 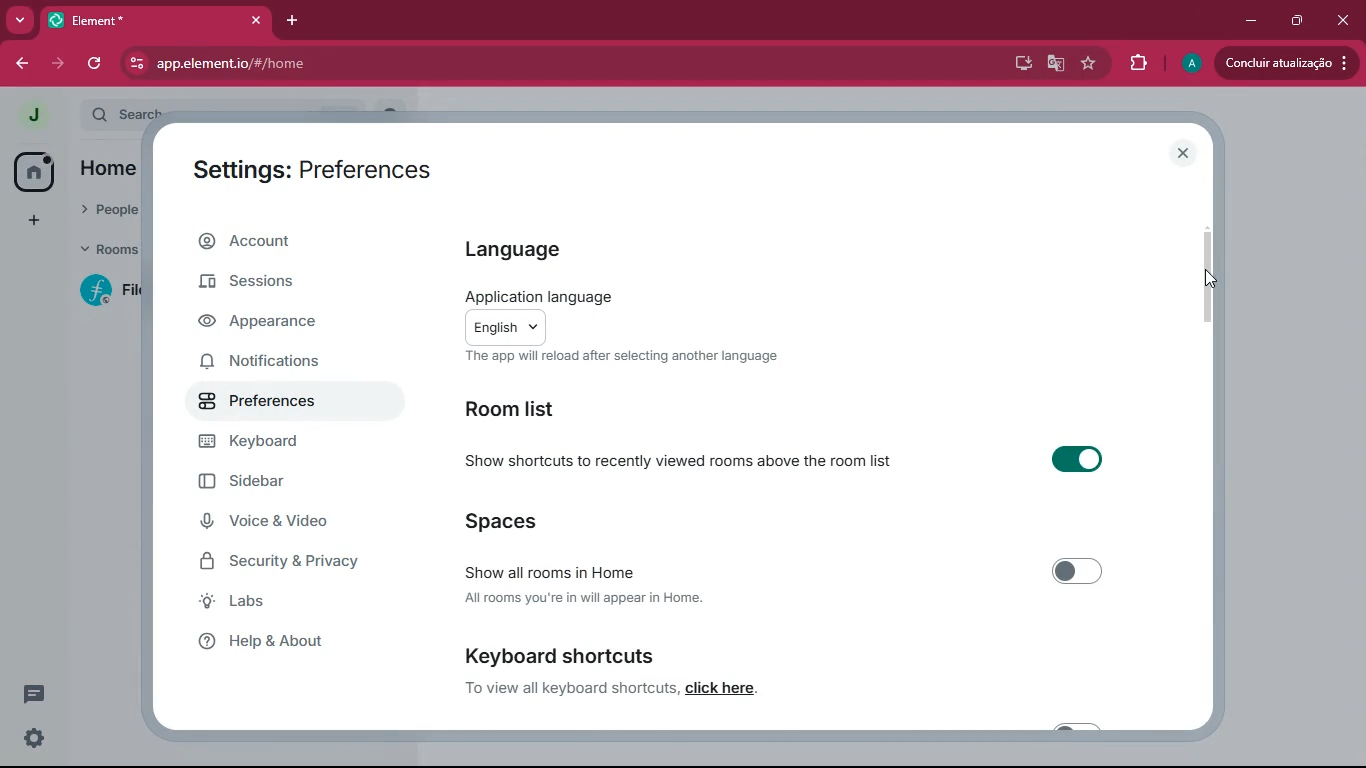 What do you see at coordinates (1344, 20) in the screenshot?
I see `close` at bounding box center [1344, 20].